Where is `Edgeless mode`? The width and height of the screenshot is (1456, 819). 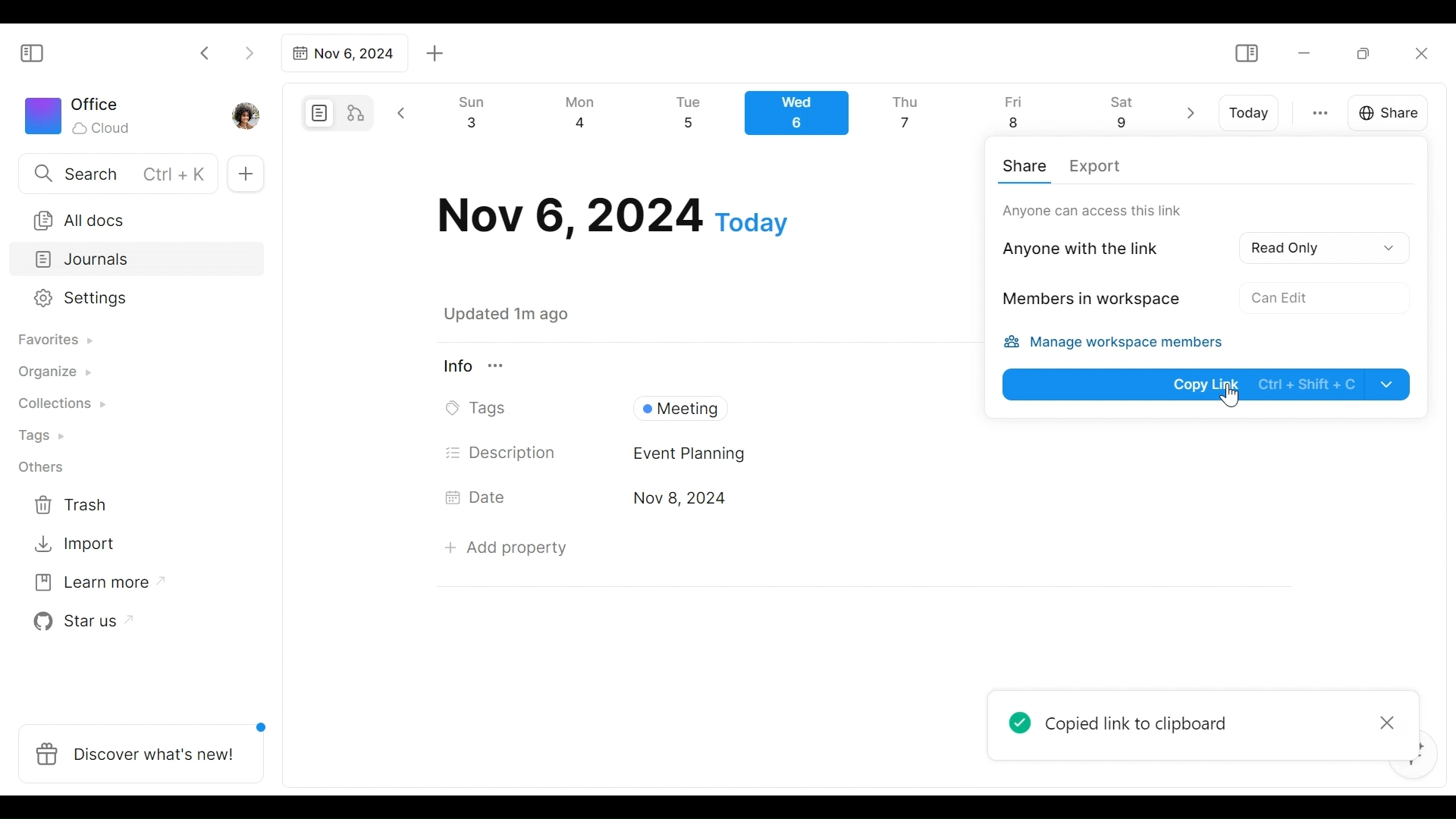
Edgeless mode is located at coordinates (357, 112).